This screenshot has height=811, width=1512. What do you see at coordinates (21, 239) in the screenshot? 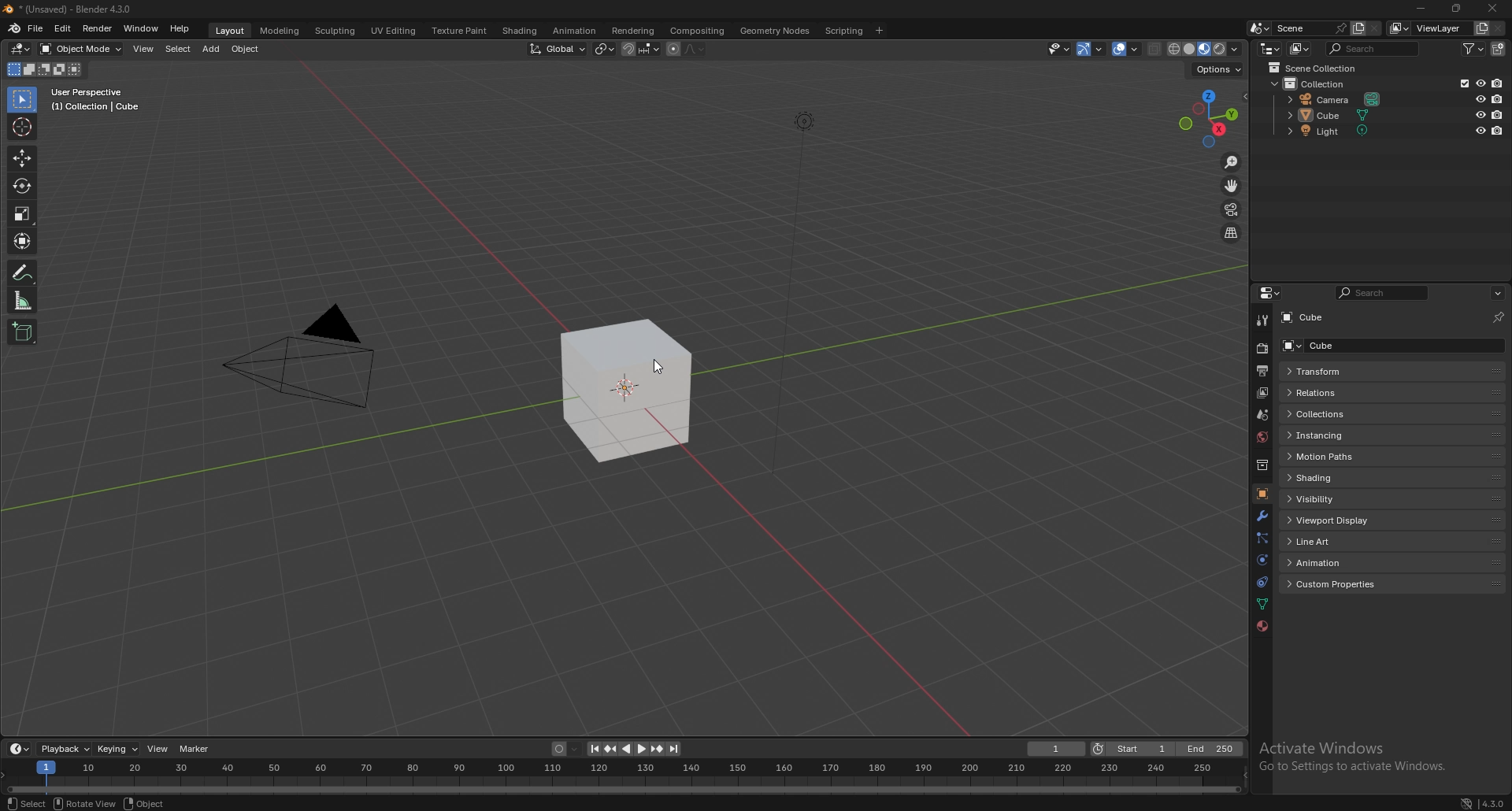
I see `transform` at bounding box center [21, 239].